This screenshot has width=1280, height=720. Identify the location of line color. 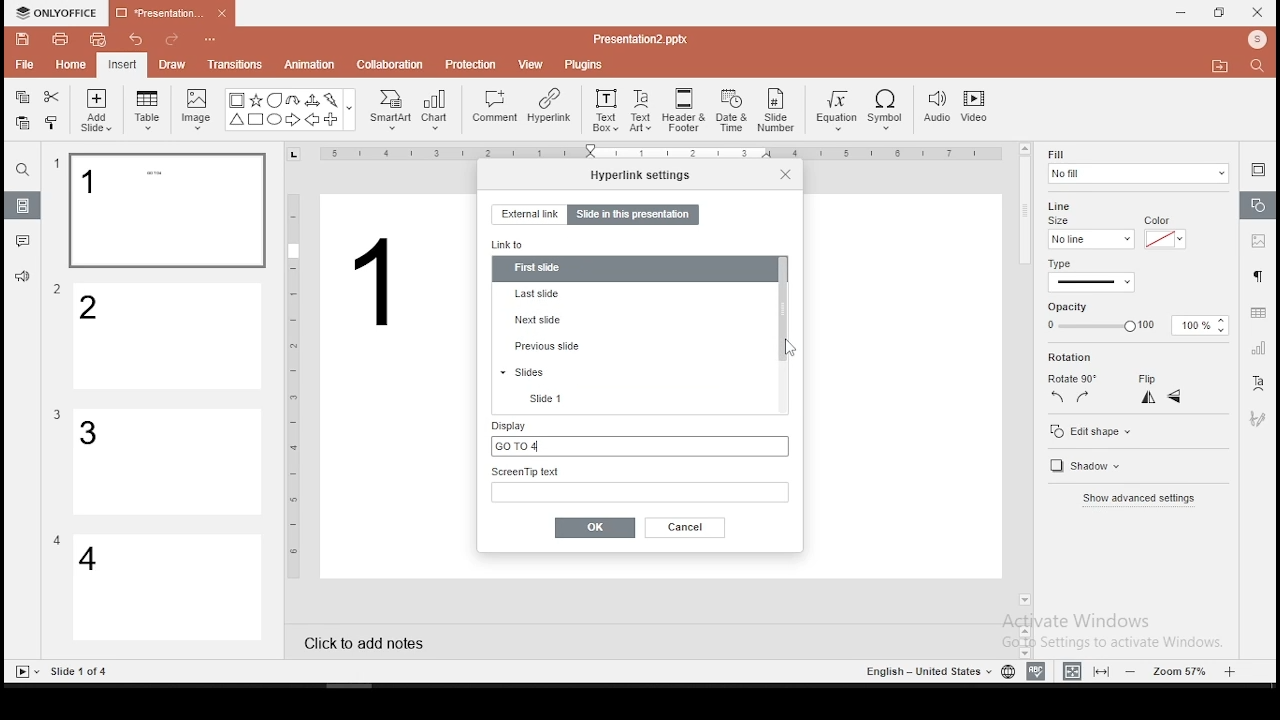
(1163, 238).